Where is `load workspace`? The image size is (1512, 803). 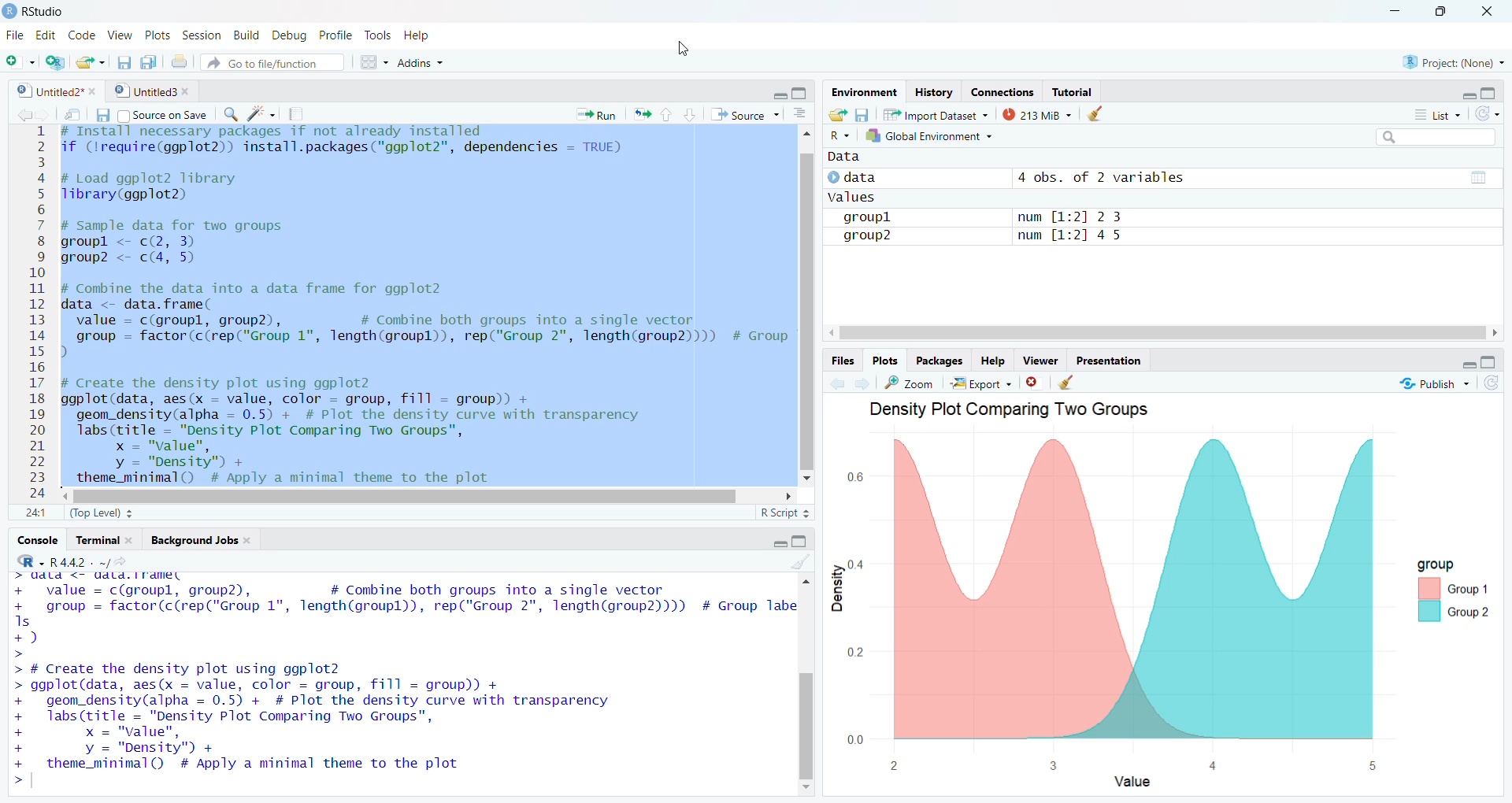
load workspace is located at coordinates (838, 115).